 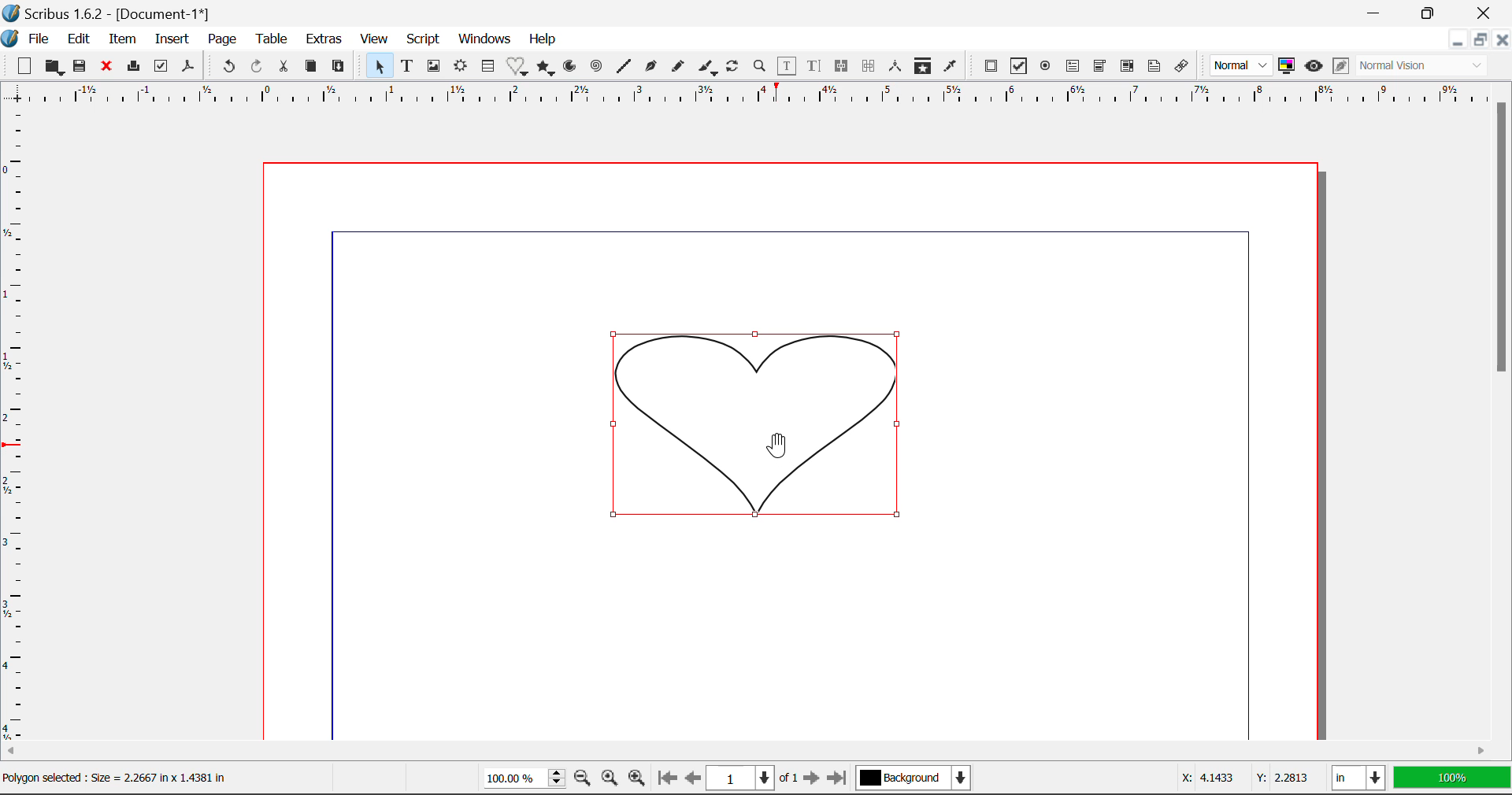 I want to click on Scribus 1.6.2 - [Document-1*], so click(x=109, y=14).